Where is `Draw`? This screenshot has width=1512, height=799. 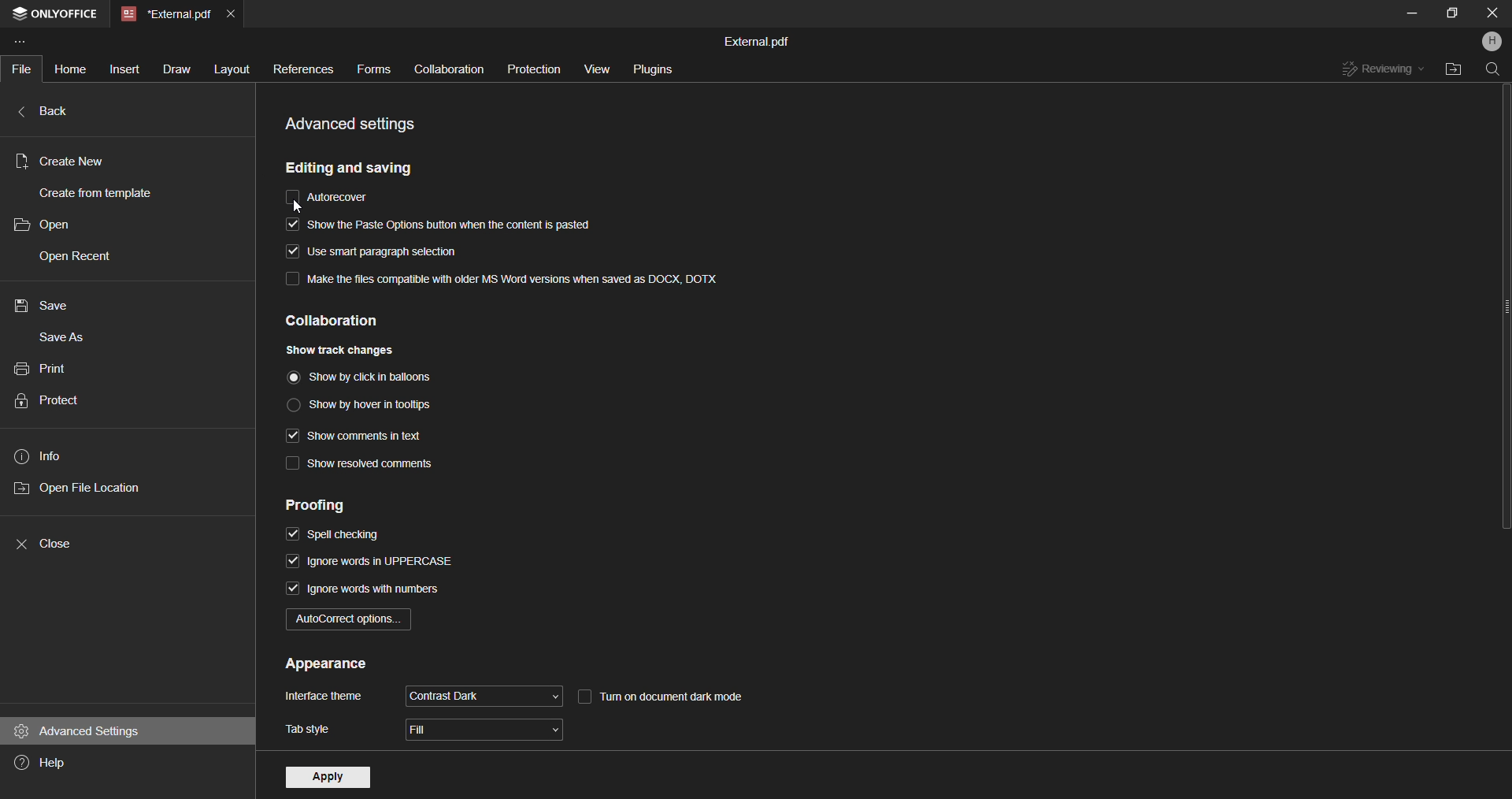
Draw is located at coordinates (175, 70).